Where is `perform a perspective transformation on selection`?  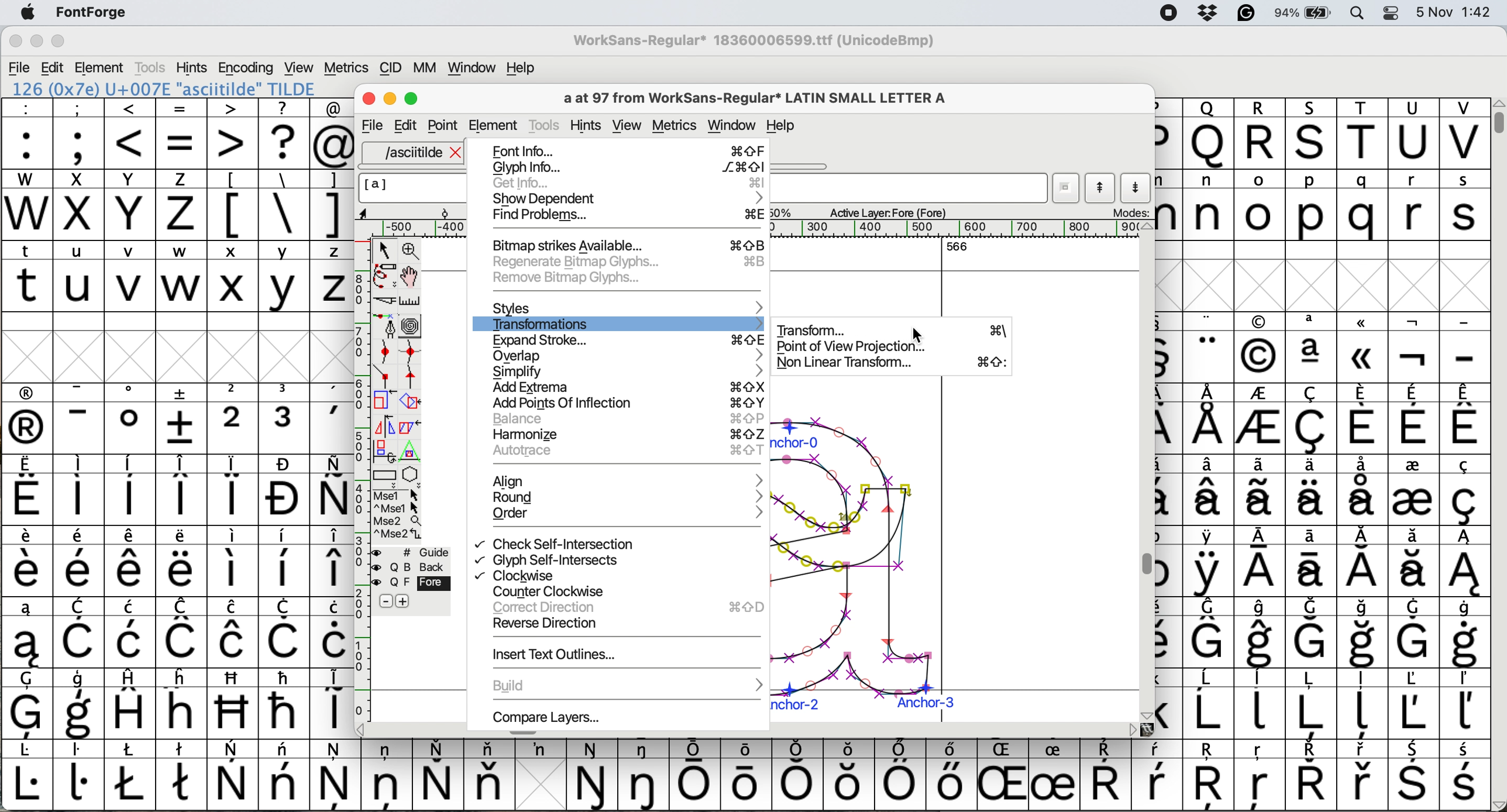
perform a perspective transformation on selection is located at coordinates (410, 452).